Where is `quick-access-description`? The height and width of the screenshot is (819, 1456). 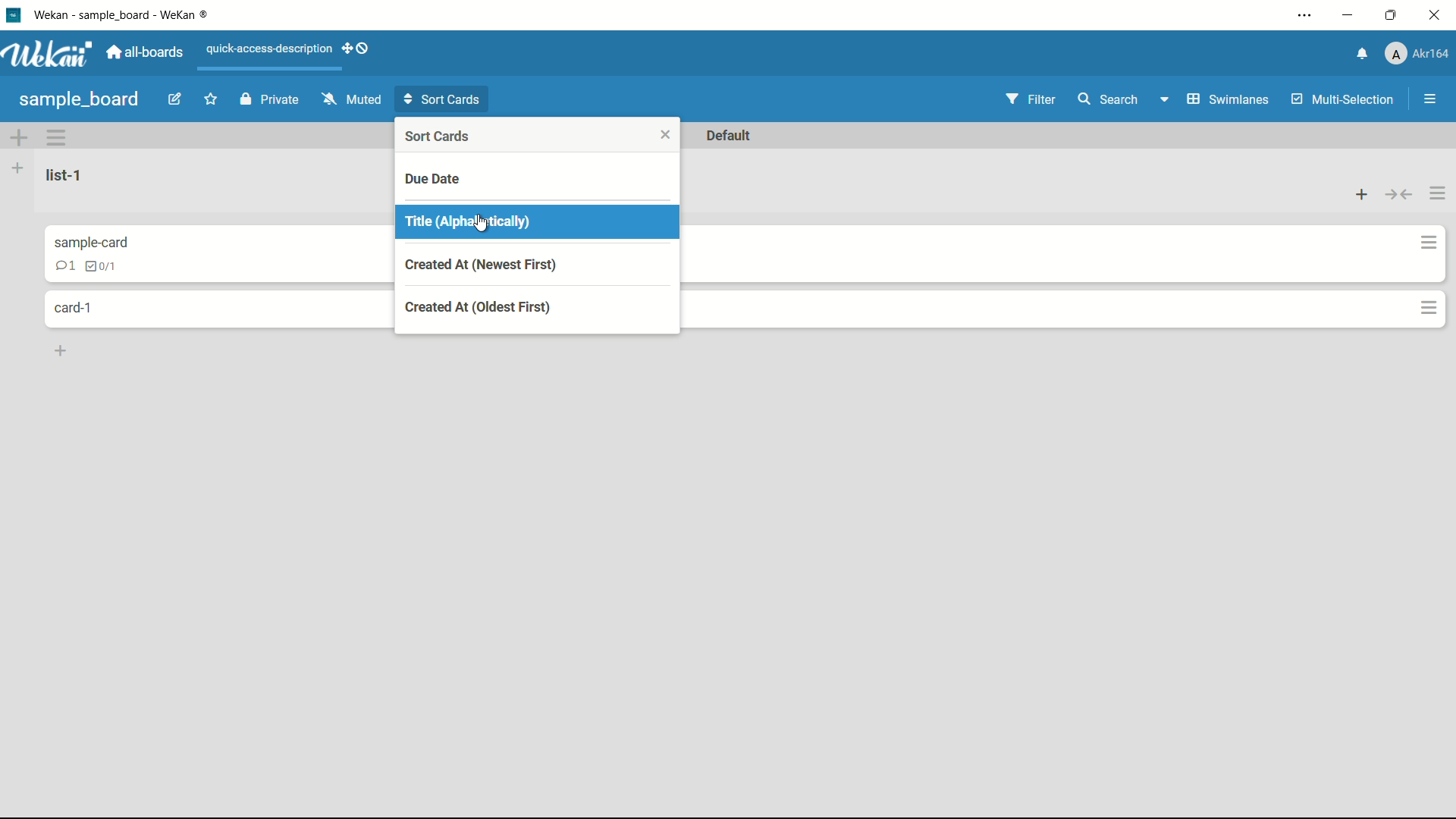 quick-access-description is located at coordinates (270, 50).